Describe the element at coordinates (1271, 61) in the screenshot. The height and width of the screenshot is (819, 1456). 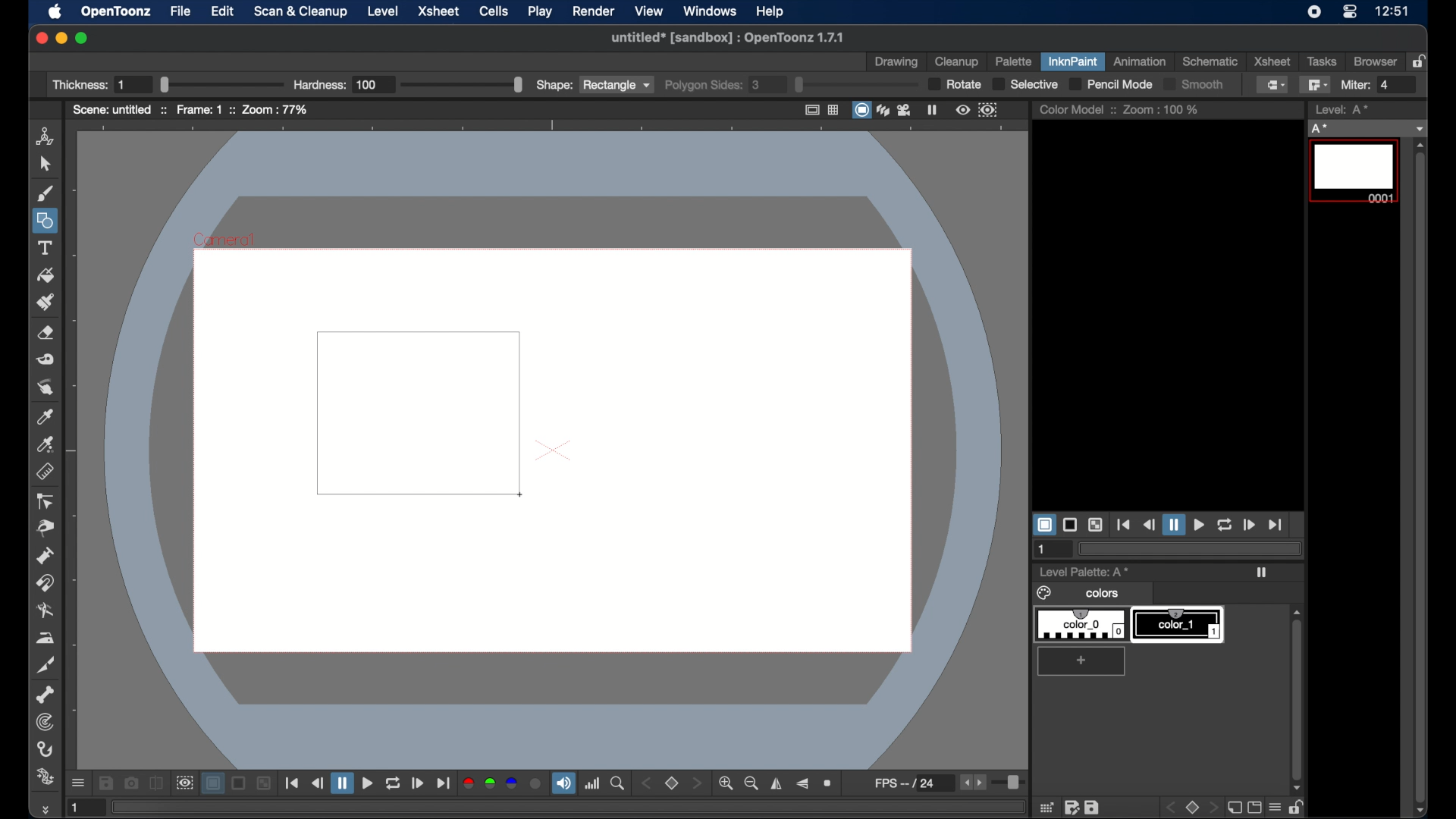
I see `xsheet` at that location.